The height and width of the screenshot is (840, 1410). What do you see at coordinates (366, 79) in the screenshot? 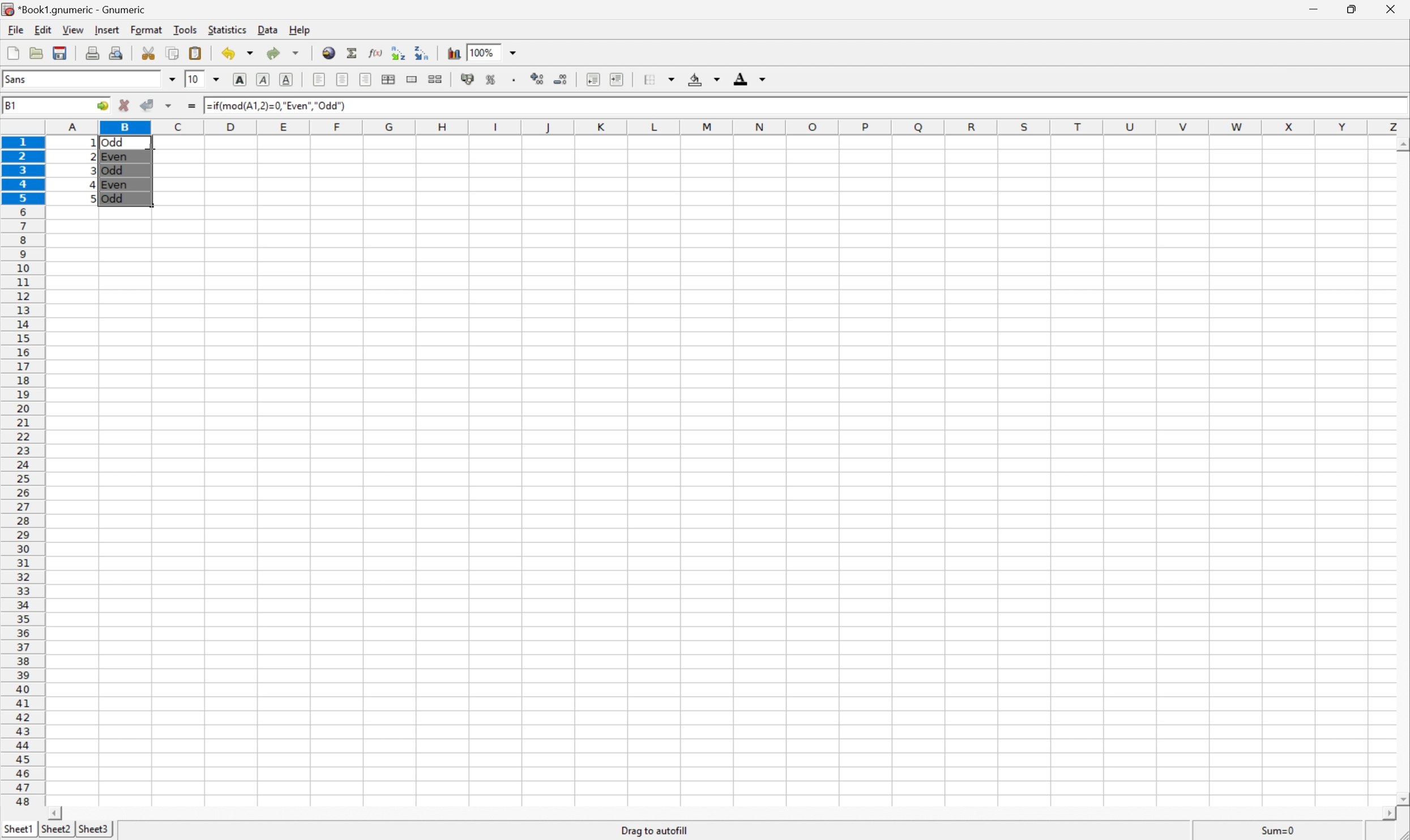
I see `Align Right` at bounding box center [366, 79].